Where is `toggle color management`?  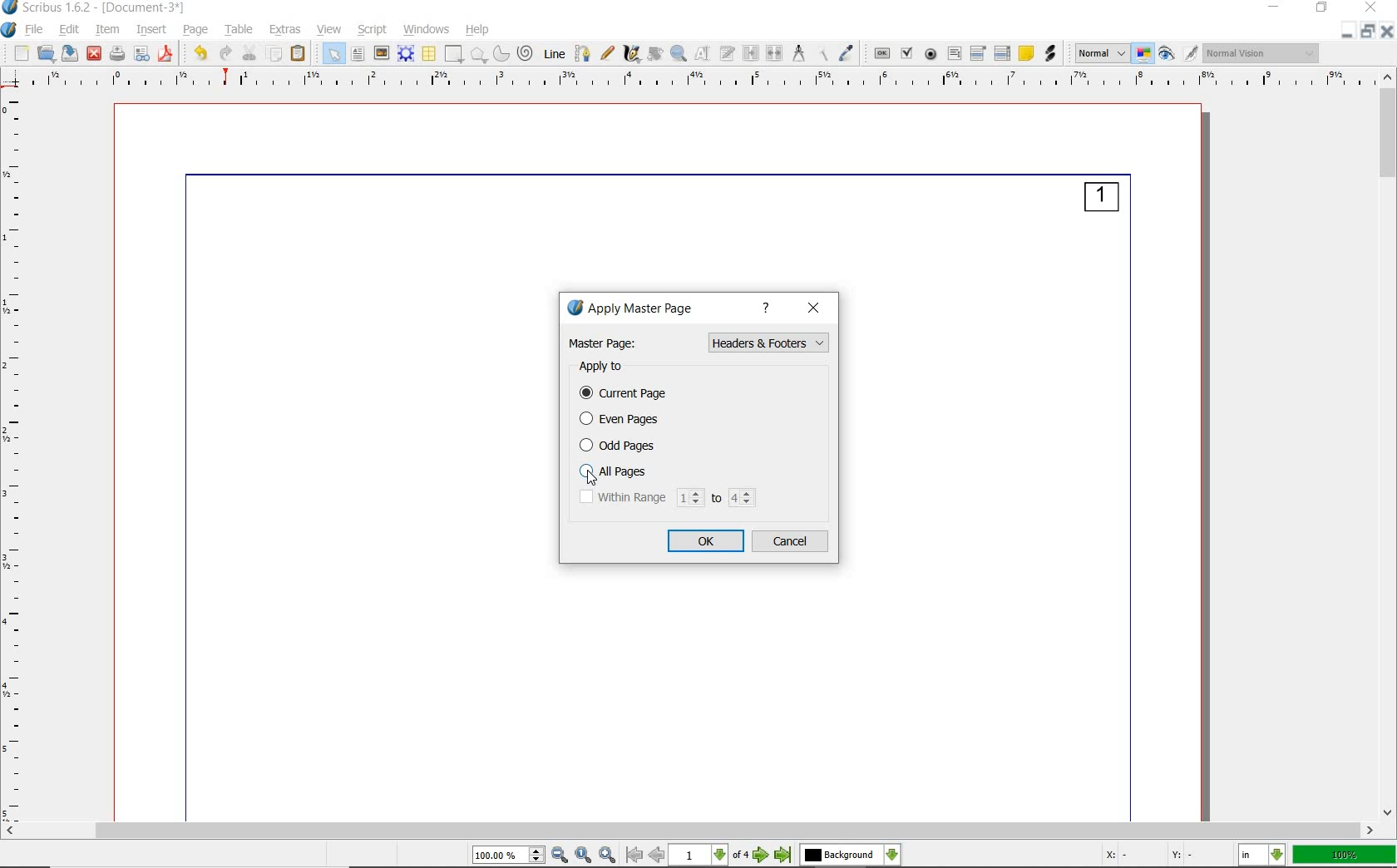
toggle color management is located at coordinates (1145, 53).